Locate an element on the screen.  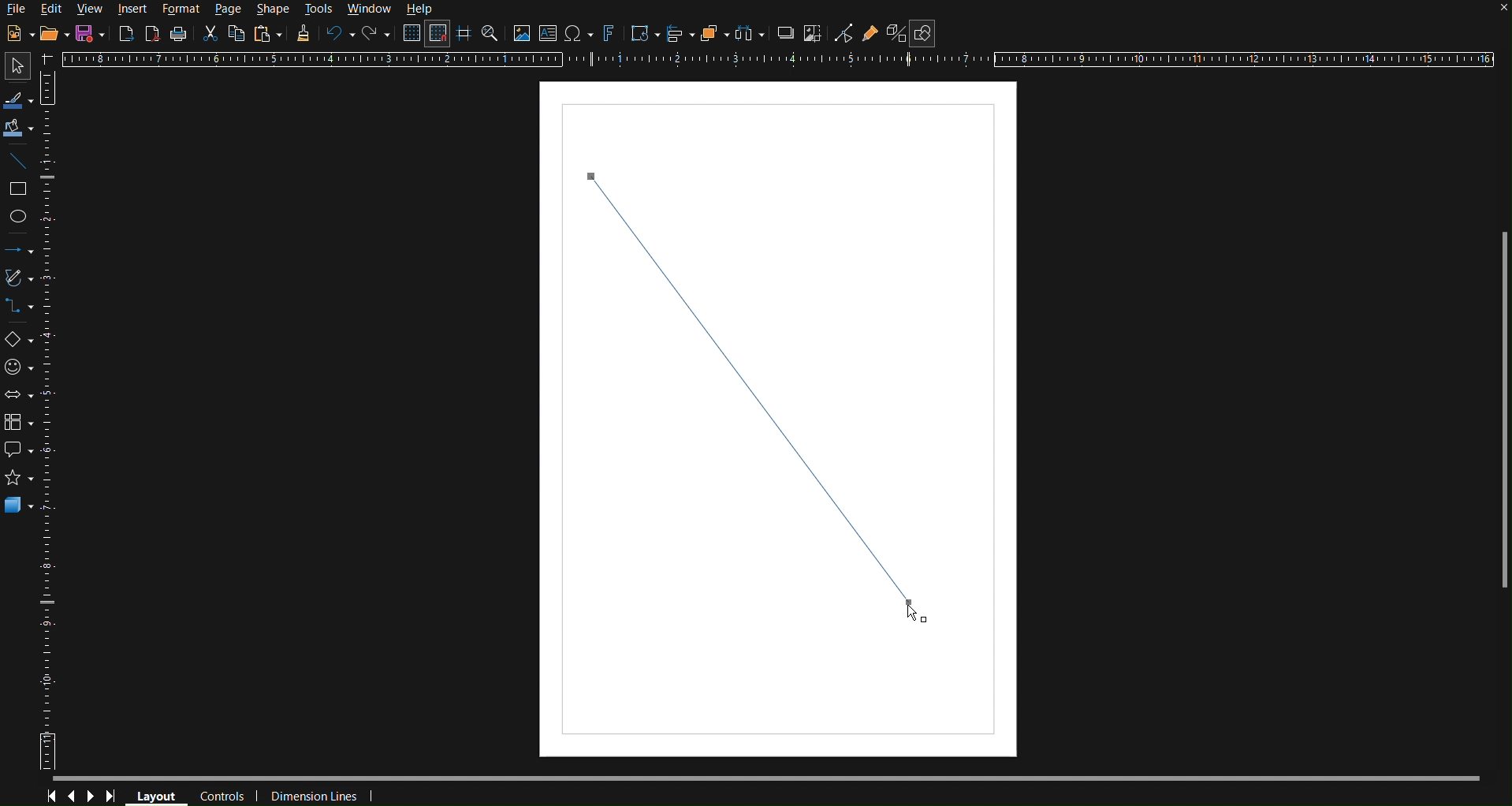
Layout is located at coordinates (158, 796).